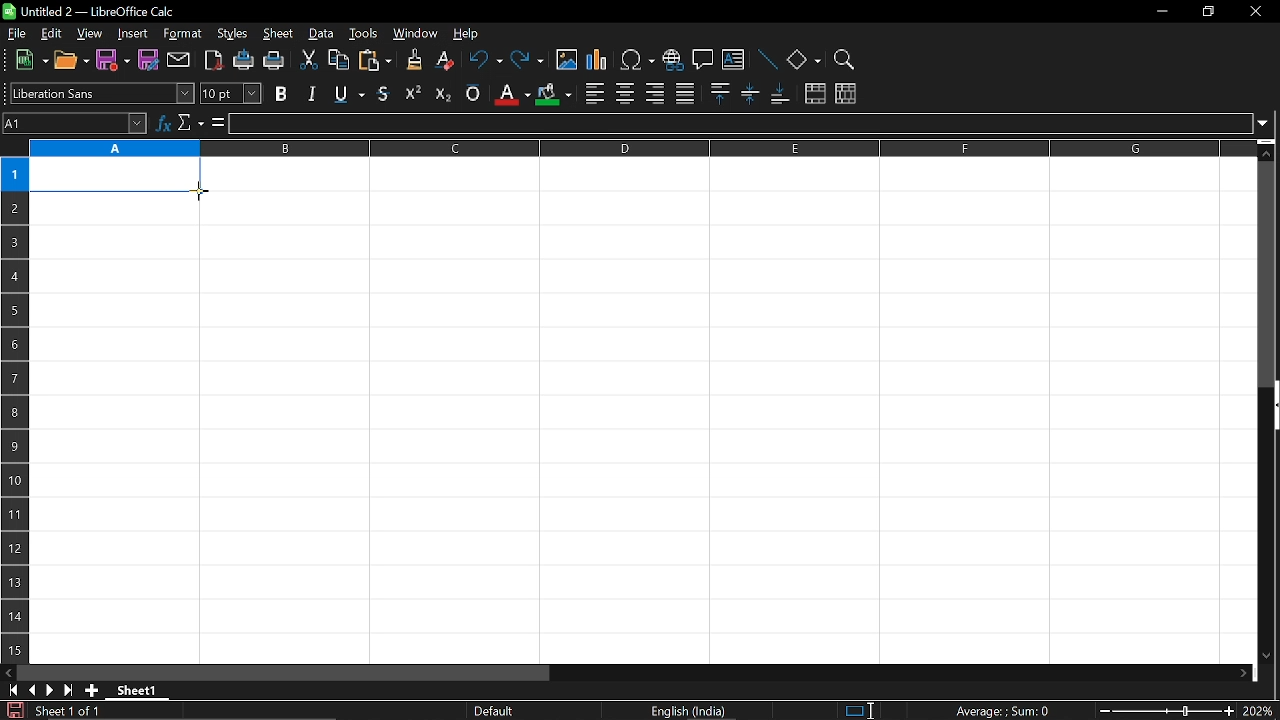  I want to click on Average:;Sum: 0, so click(1002, 710).